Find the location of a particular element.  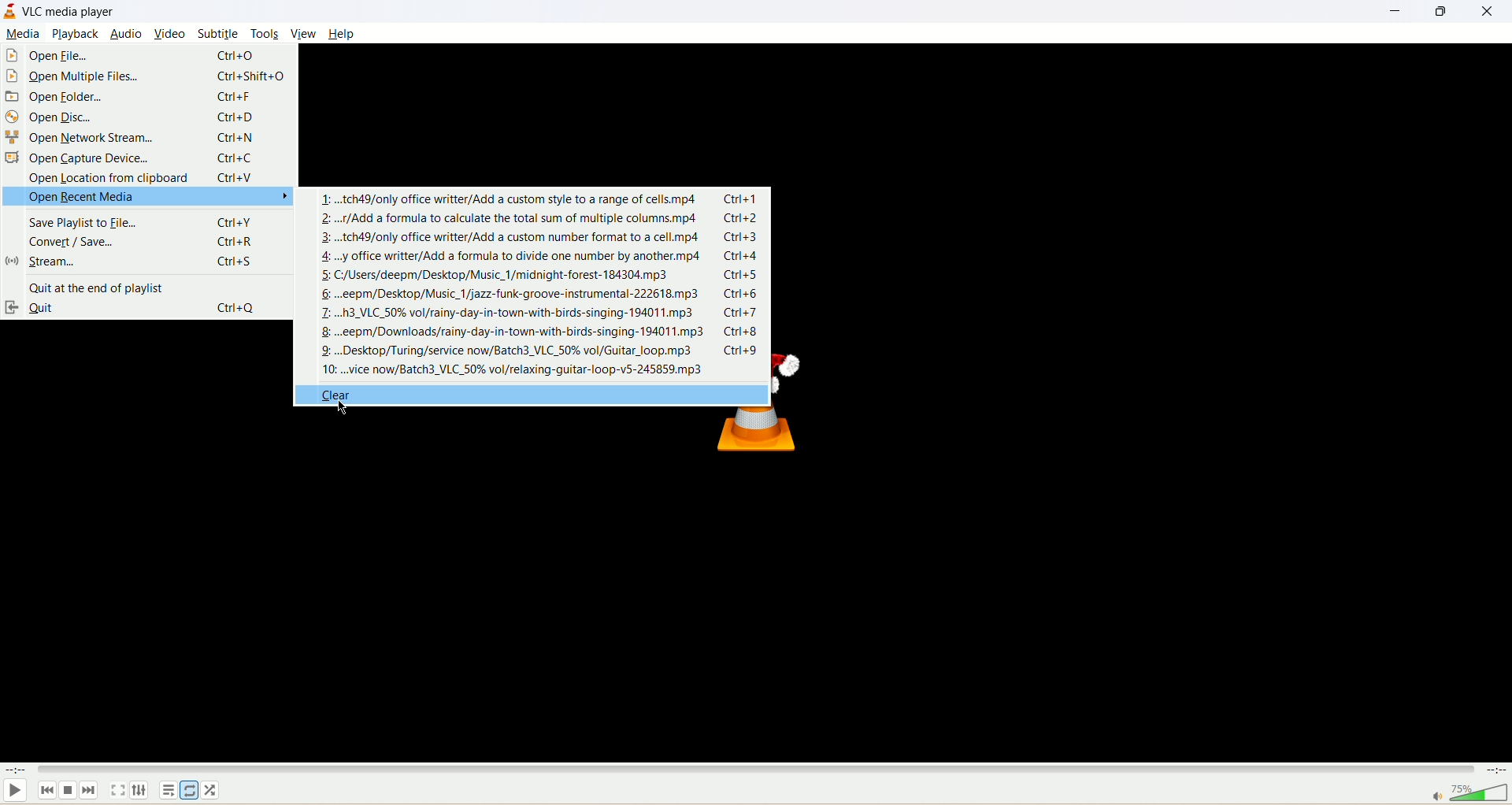

5: C/Users/deepm/Desktop/Music_1/midnight-forest-184304.mp3 is located at coordinates (498, 276).